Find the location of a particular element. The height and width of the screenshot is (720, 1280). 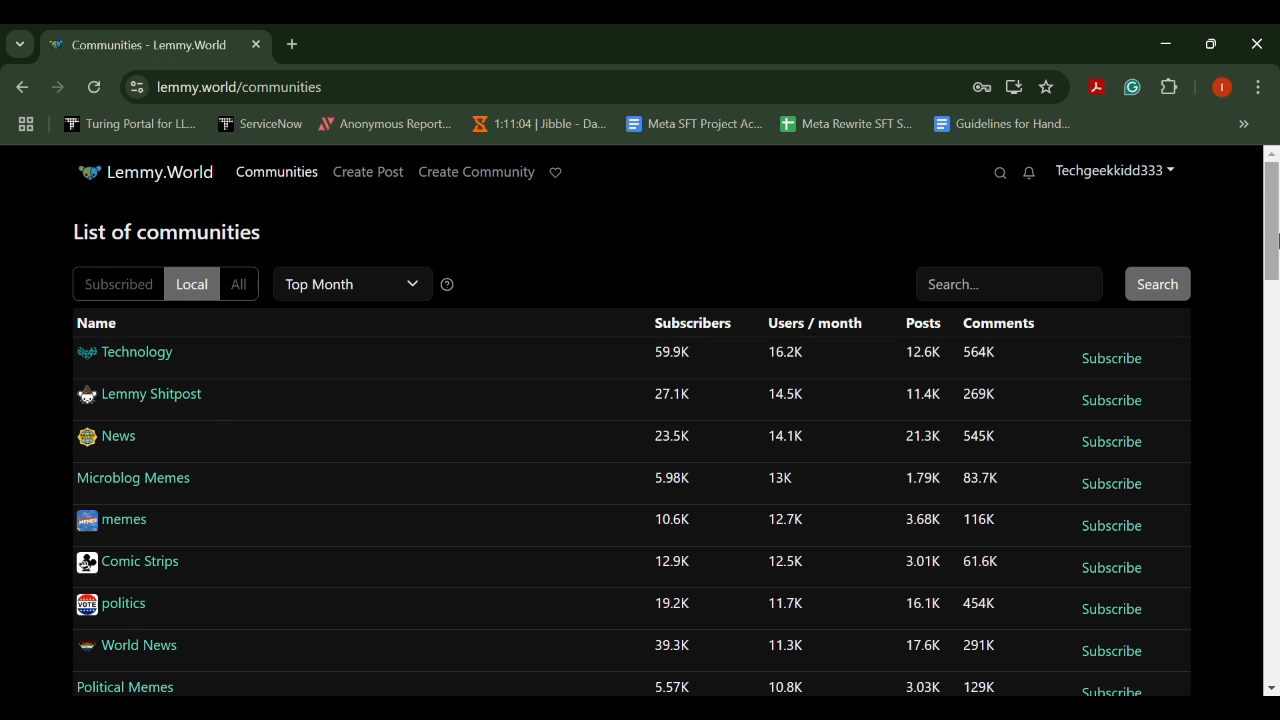

11.7K is located at coordinates (786, 604).